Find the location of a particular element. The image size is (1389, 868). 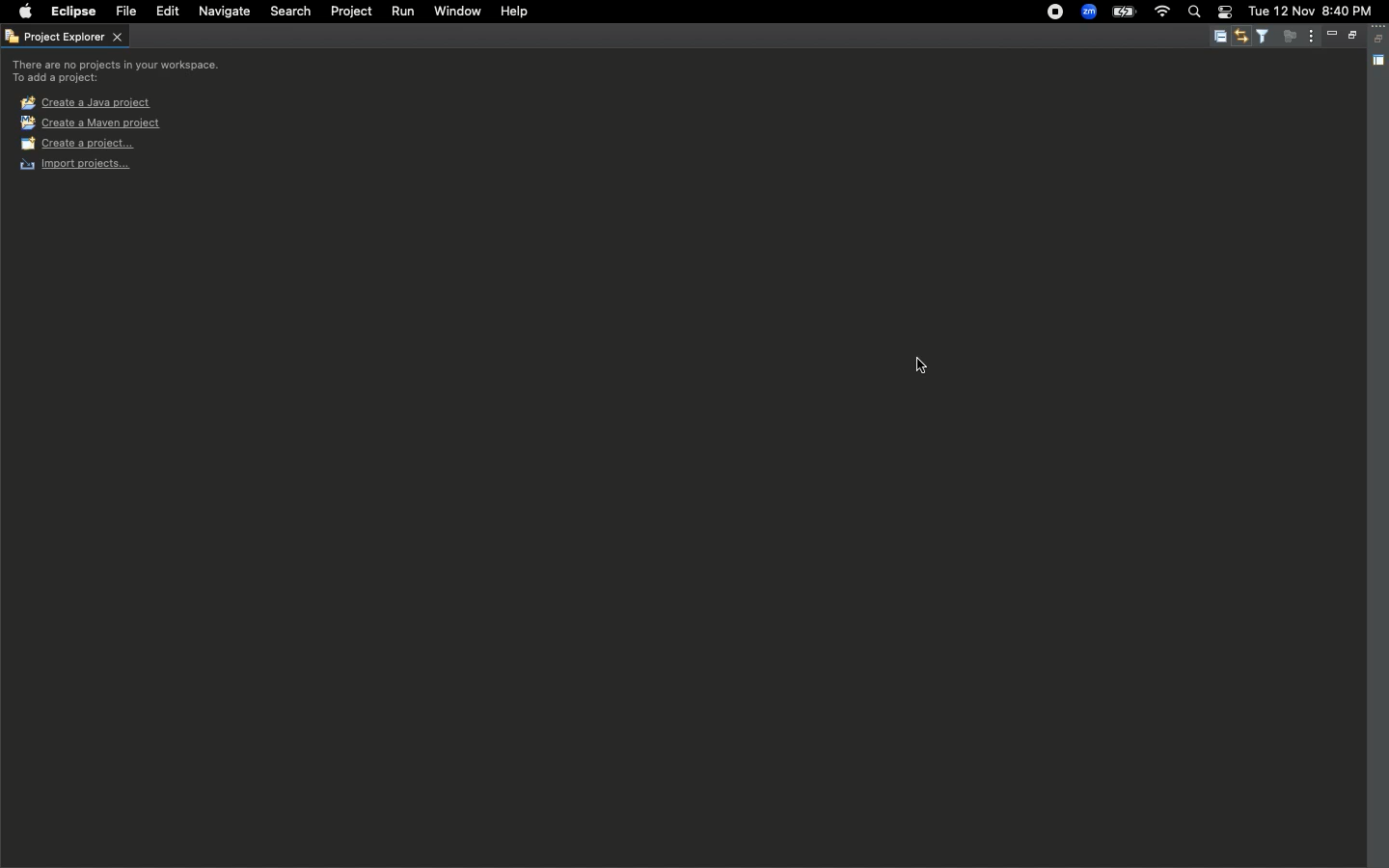

Create a maven project is located at coordinates (95, 124).